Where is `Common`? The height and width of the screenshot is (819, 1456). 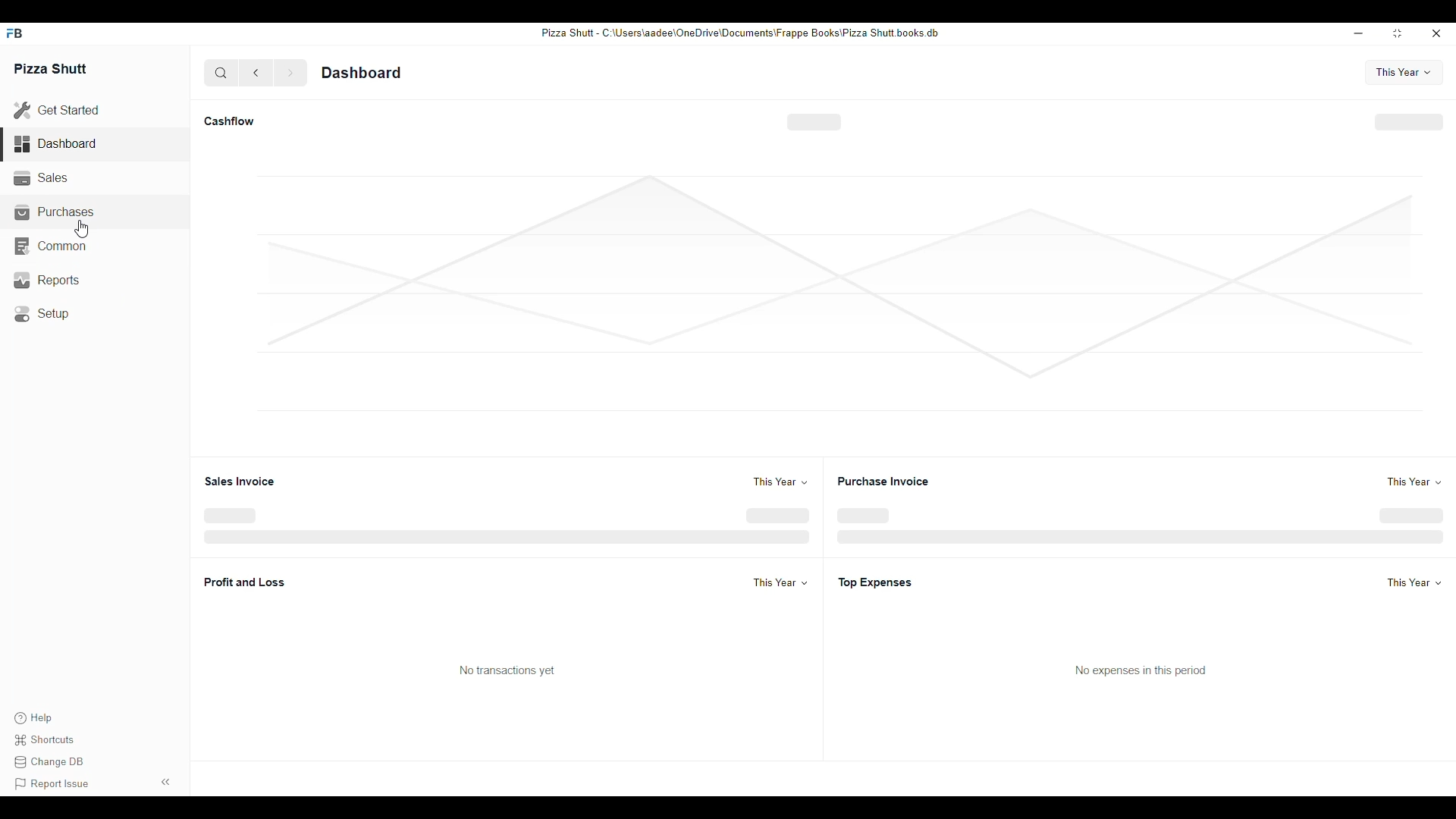 Common is located at coordinates (52, 244).